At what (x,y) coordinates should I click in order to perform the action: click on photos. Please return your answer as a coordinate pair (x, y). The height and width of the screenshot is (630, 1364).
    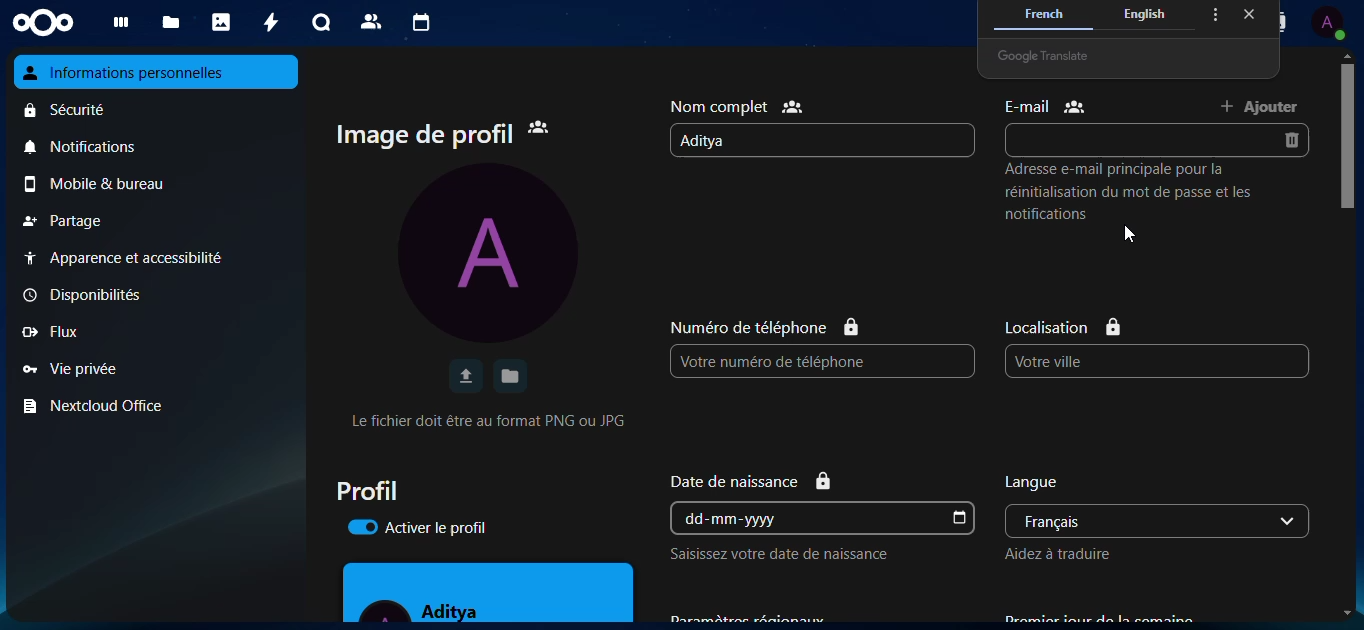
    Looking at the image, I should click on (222, 22).